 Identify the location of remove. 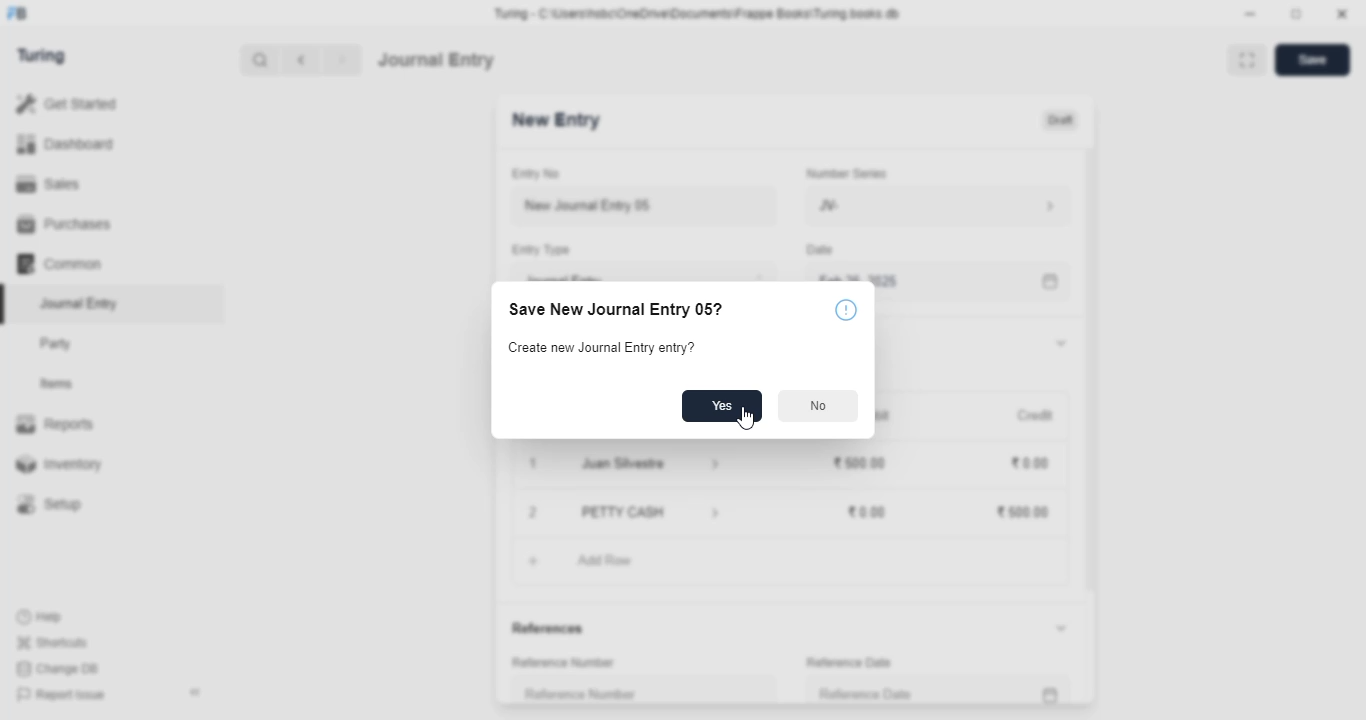
(534, 514).